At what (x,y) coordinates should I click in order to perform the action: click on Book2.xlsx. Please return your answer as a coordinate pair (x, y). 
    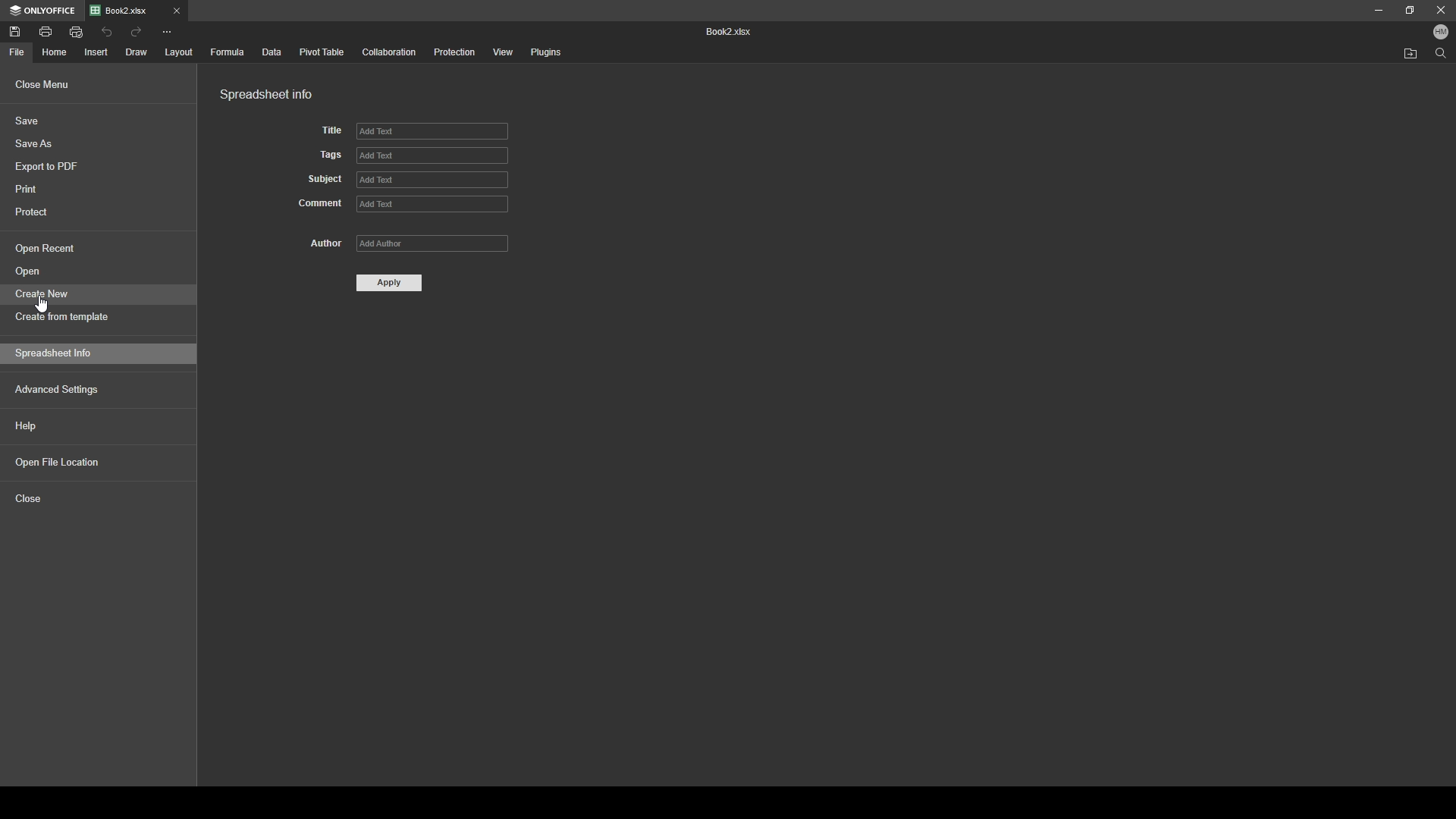
    Looking at the image, I should click on (126, 11).